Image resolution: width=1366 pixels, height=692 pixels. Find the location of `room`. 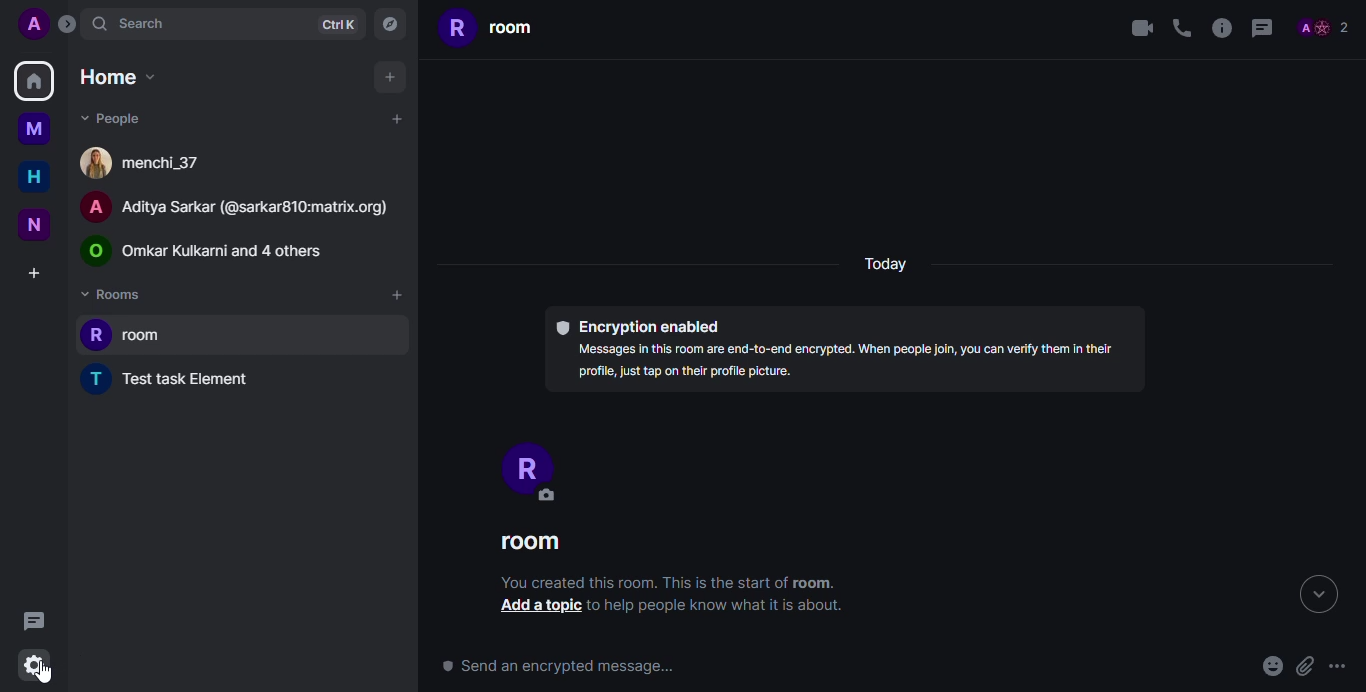

room is located at coordinates (536, 544).